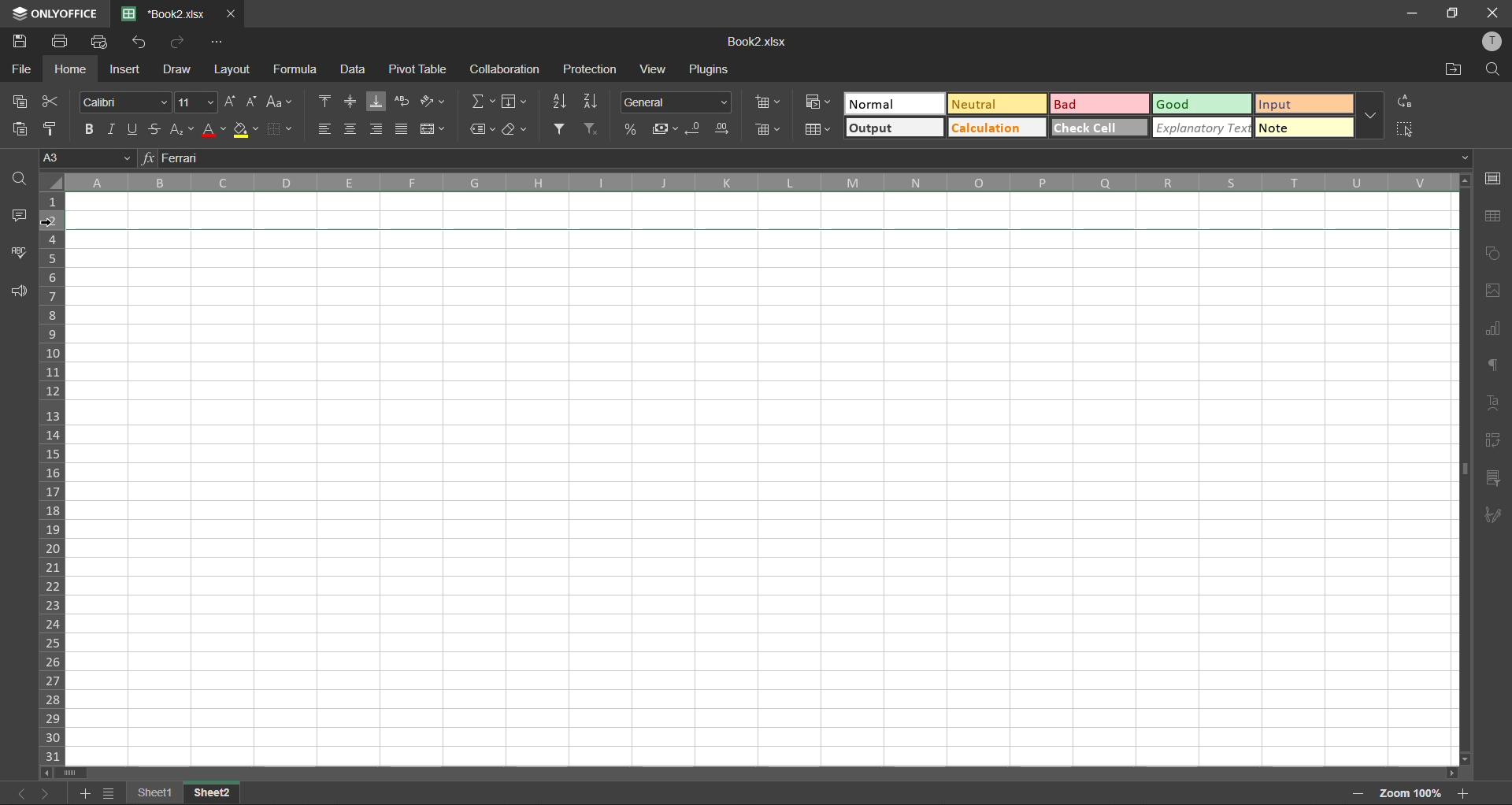  I want to click on merge and center, so click(434, 129).